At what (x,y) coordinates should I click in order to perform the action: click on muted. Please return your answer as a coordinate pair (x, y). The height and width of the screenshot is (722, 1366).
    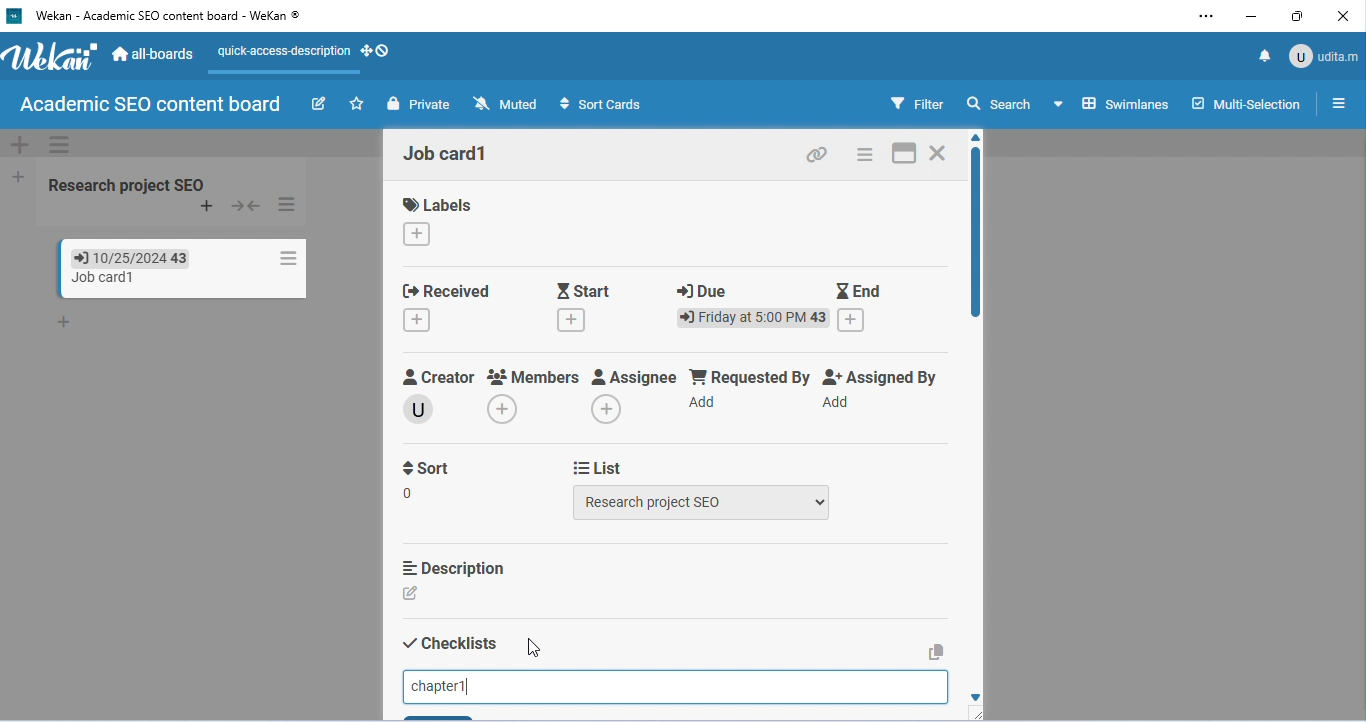
    Looking at the image, I should click on (504, 103).